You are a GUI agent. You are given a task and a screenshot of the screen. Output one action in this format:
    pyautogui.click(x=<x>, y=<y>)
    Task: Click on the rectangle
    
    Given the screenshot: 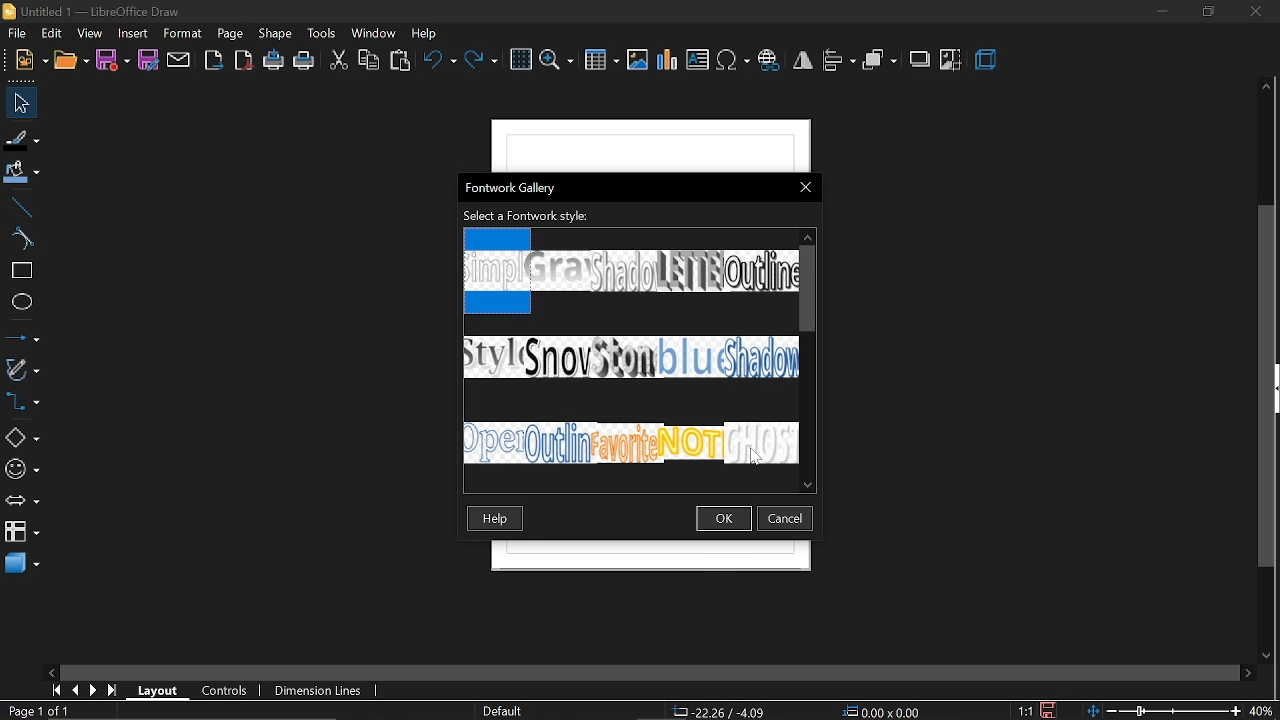 What is the action you would take?
    pyautogui.click(x=19, y=272)
    